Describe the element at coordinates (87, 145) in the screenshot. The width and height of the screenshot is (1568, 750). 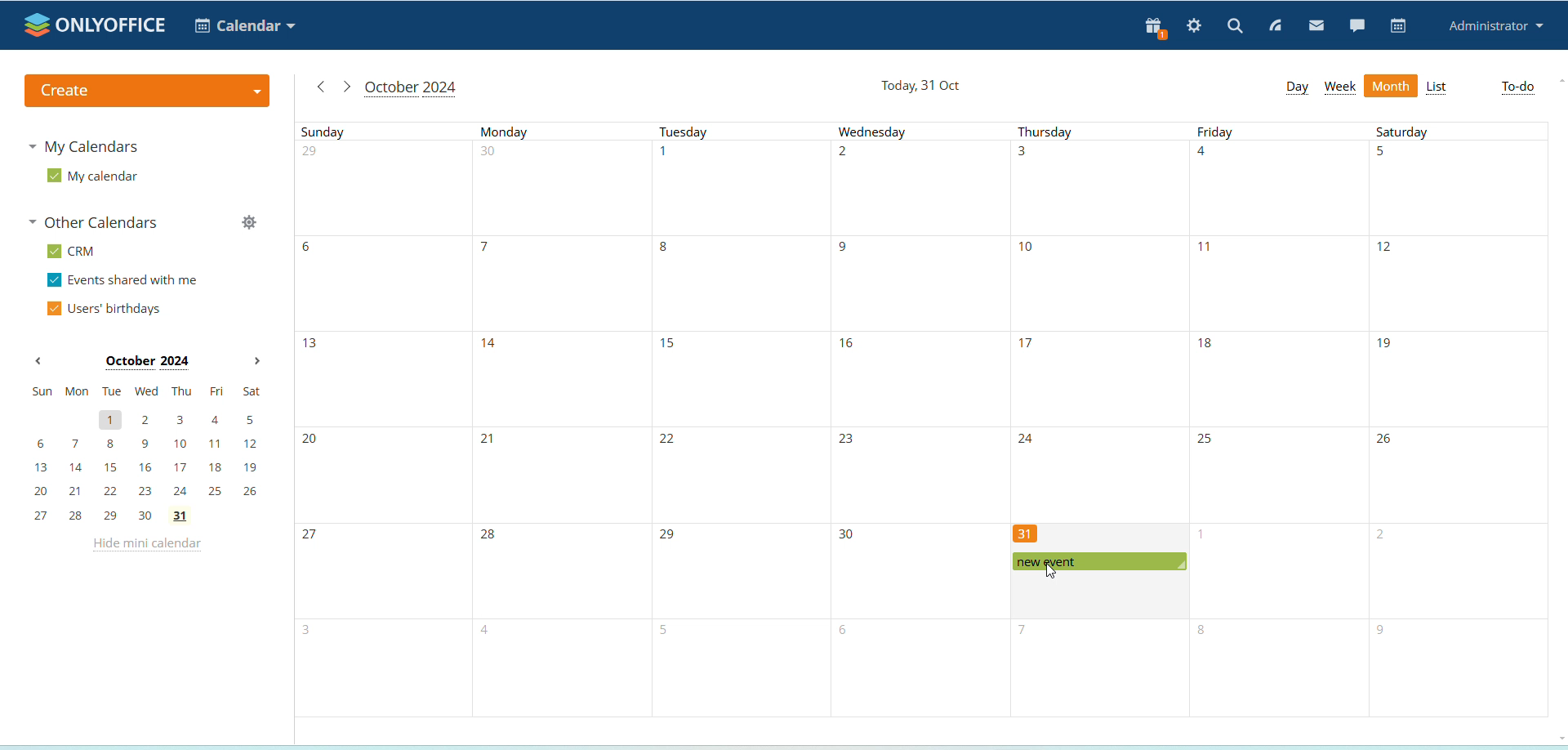
I see `my calendars` at that location.